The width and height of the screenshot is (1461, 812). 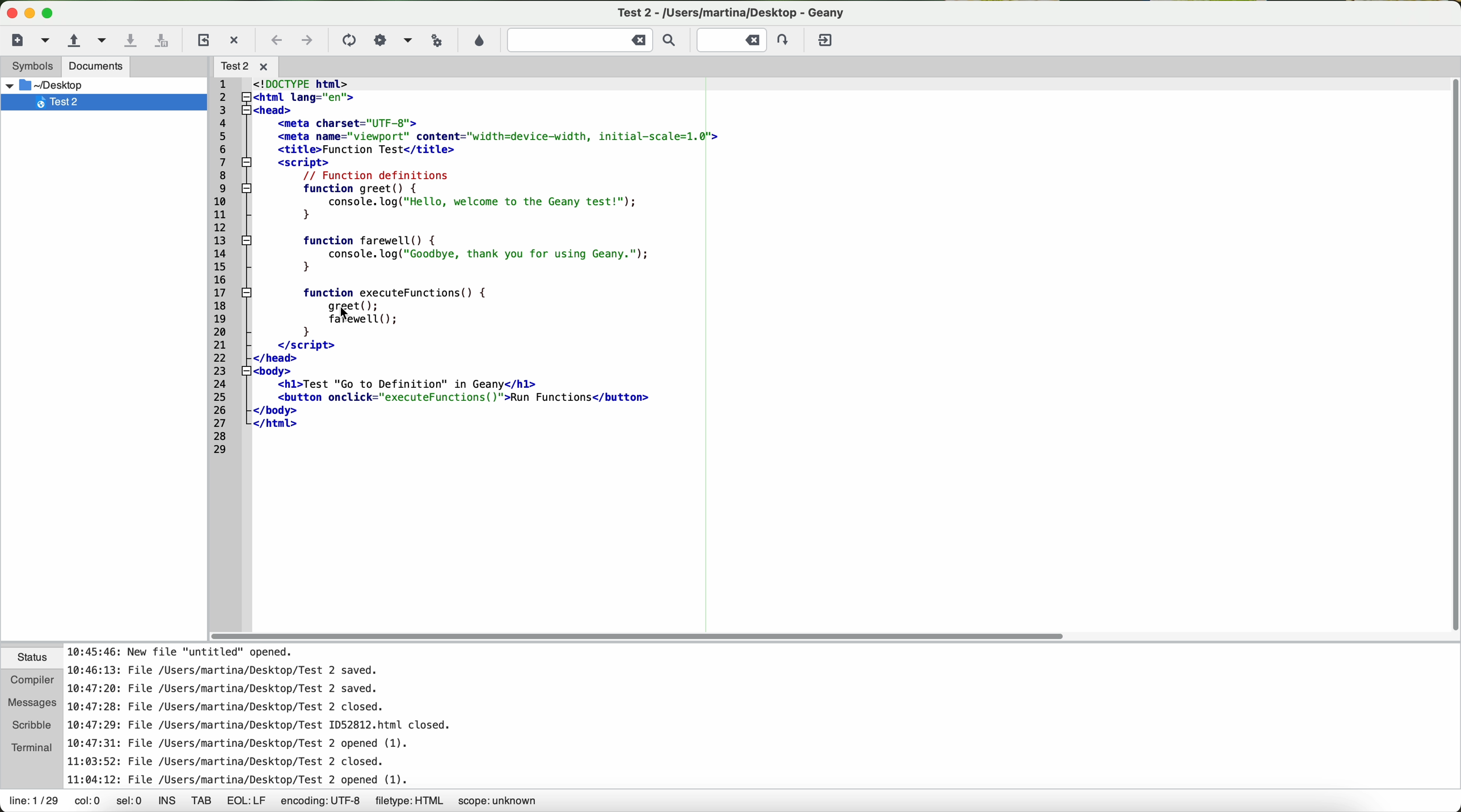 What do you see at coordinates (596, 40) in the screenshot?
I see `find the entered text in the current file` at bounding box center [596, 40].